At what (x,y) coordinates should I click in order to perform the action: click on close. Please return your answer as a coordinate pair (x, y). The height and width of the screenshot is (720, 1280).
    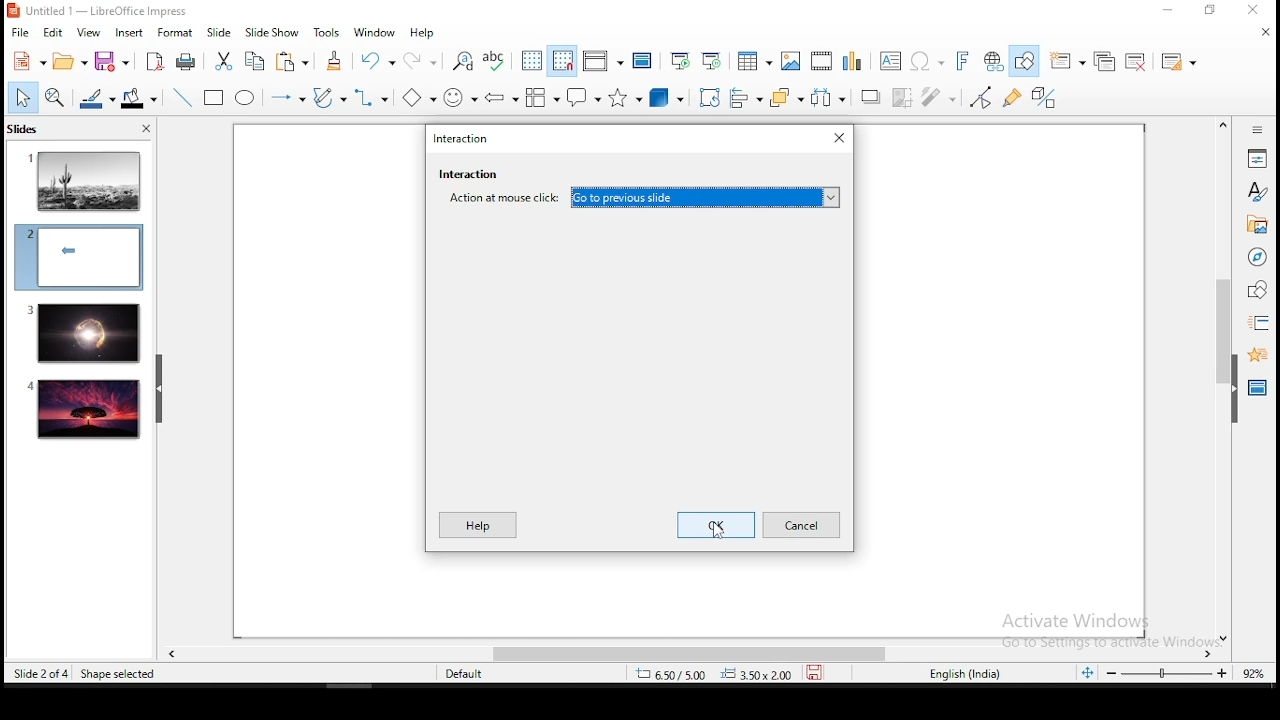
    Looking at the image, I should click on (1263, 30).